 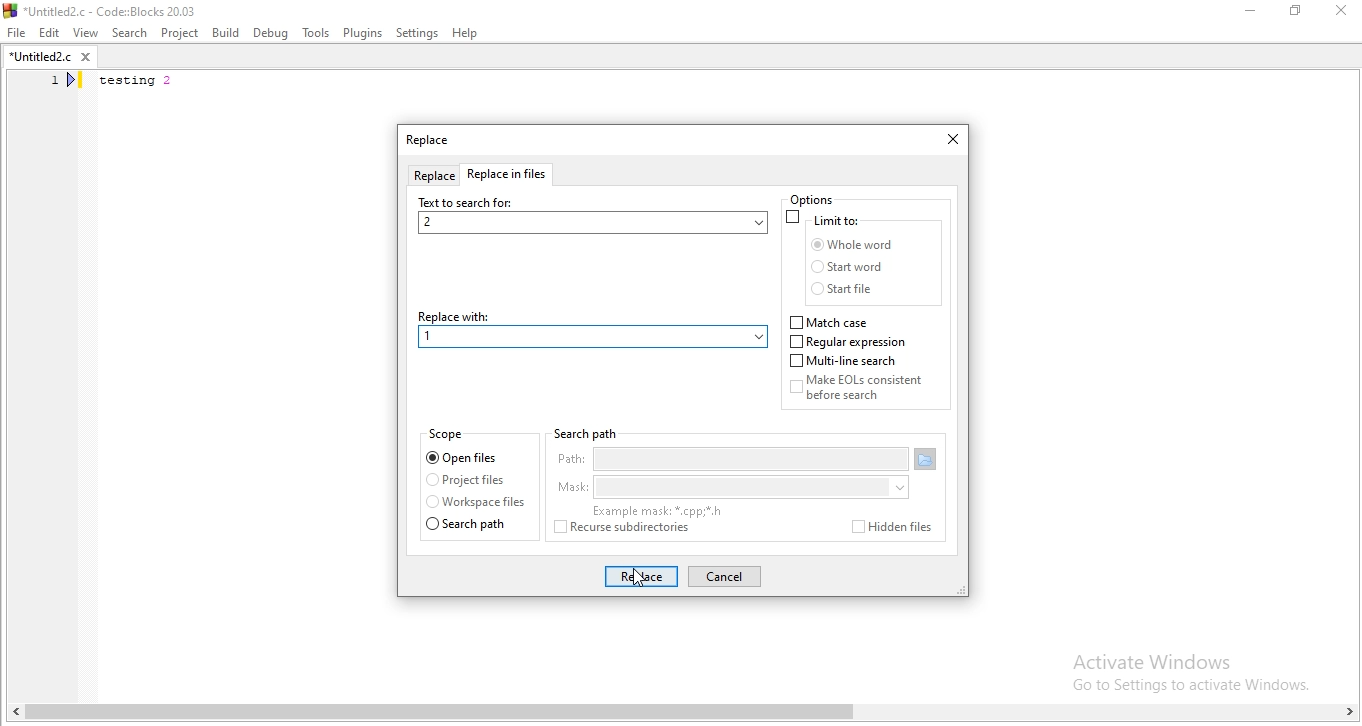 I want to click on mask, so click(x=729, y=488).